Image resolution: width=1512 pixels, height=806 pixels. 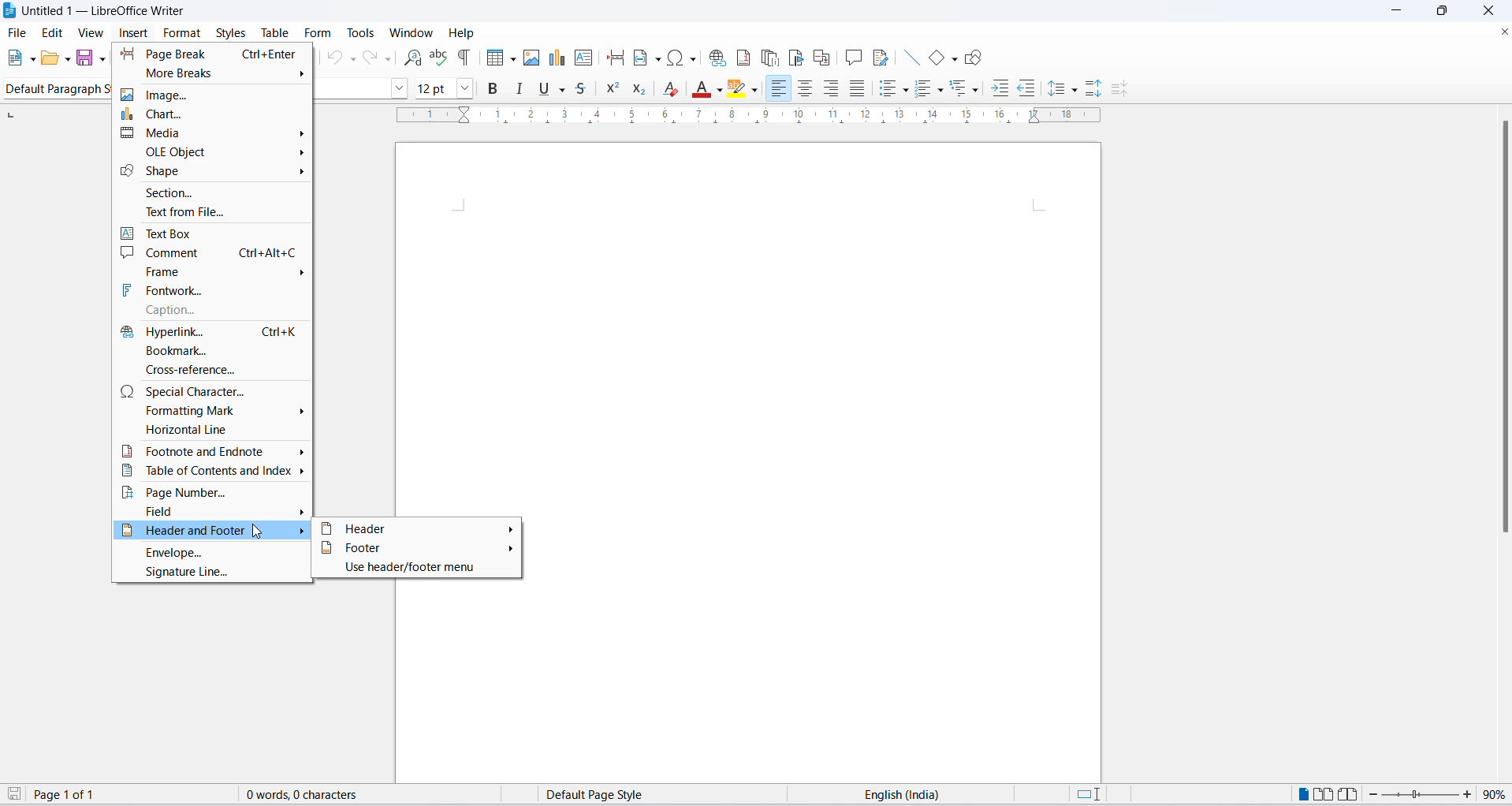 What do you see at coordinates (1029, 88) in the screenshot?
I see `decrease indent` at bounding box center [1029, 88].